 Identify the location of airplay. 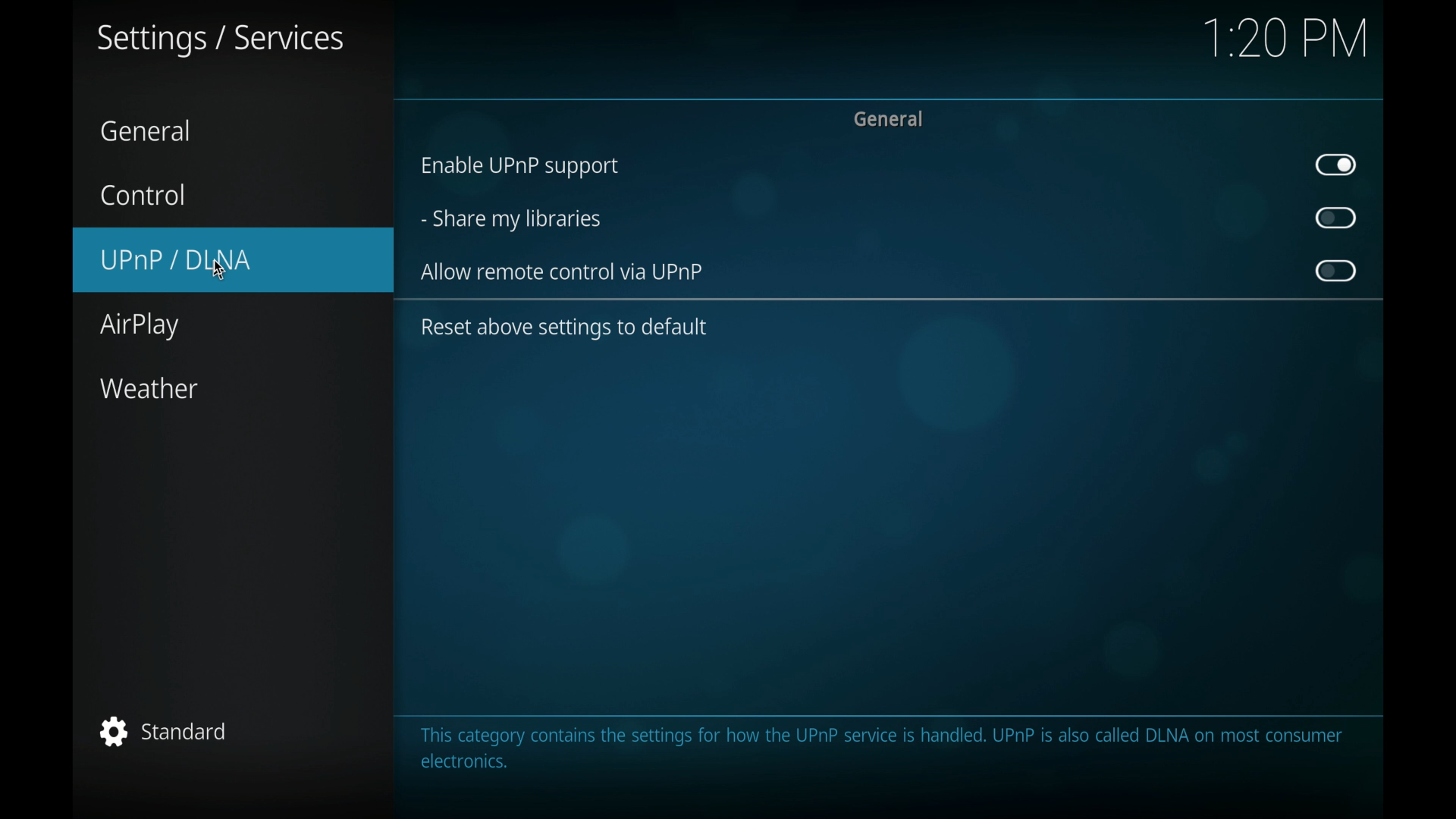
(138, 327).